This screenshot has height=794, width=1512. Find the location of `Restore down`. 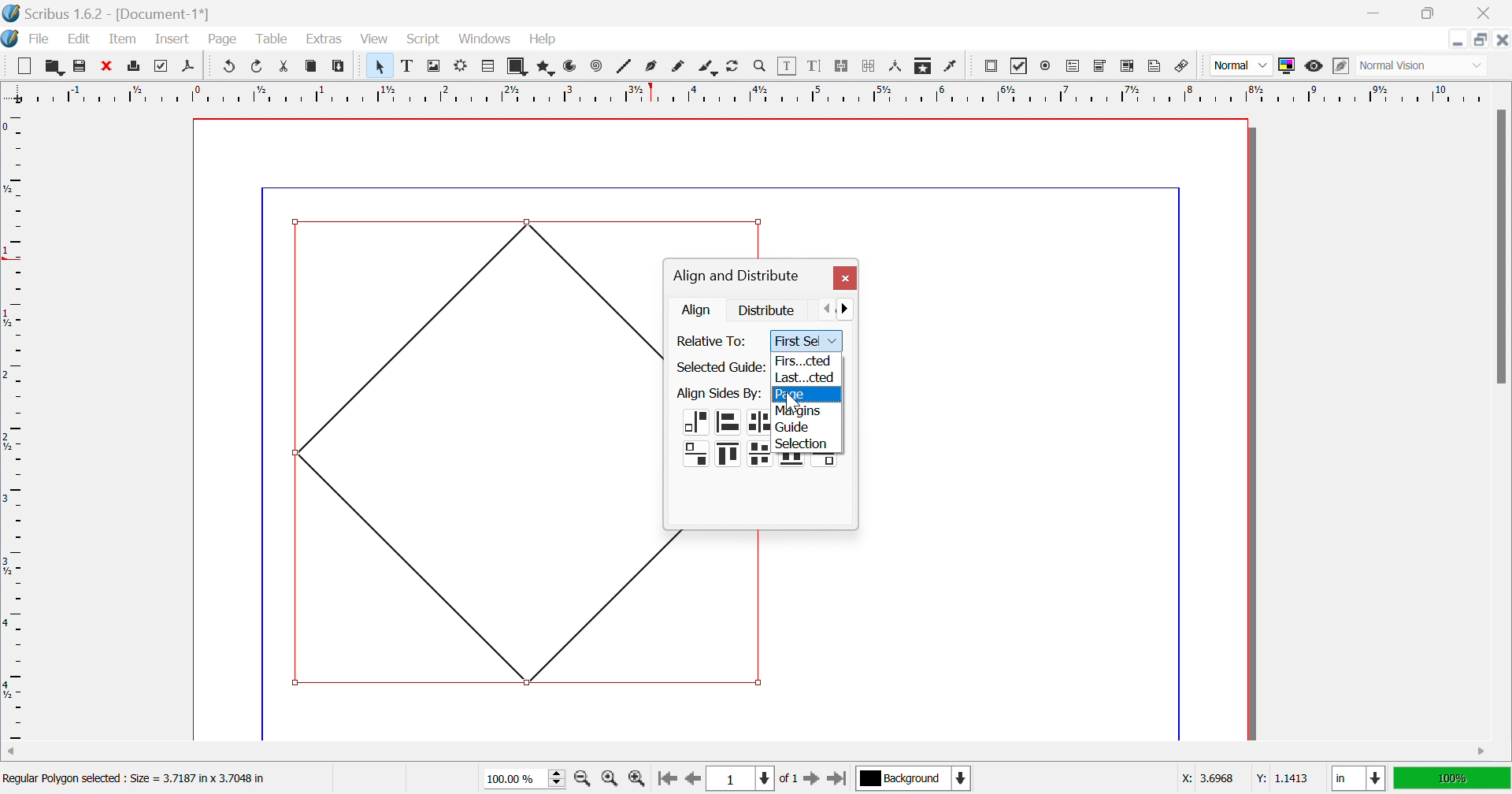

Restore down is located at coordinates (1481, 39).